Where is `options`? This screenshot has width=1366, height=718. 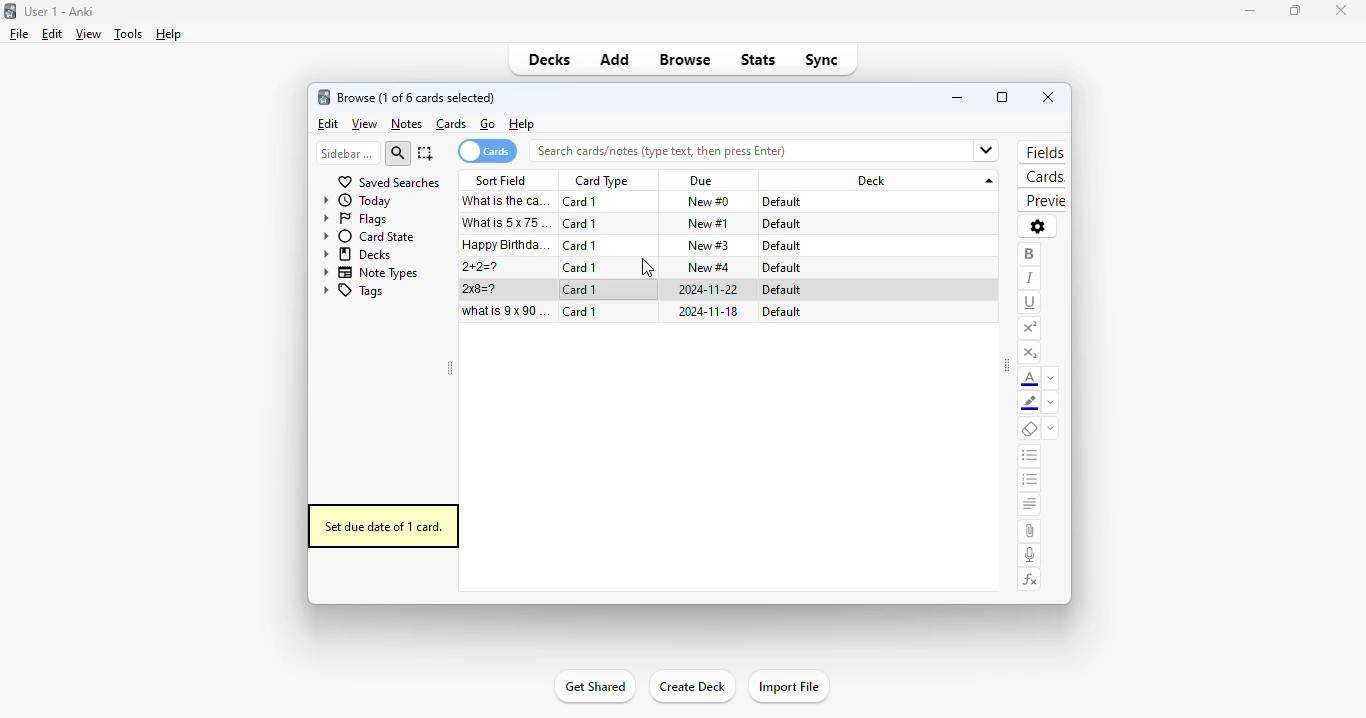 options is located at coordinates (1037, 226).